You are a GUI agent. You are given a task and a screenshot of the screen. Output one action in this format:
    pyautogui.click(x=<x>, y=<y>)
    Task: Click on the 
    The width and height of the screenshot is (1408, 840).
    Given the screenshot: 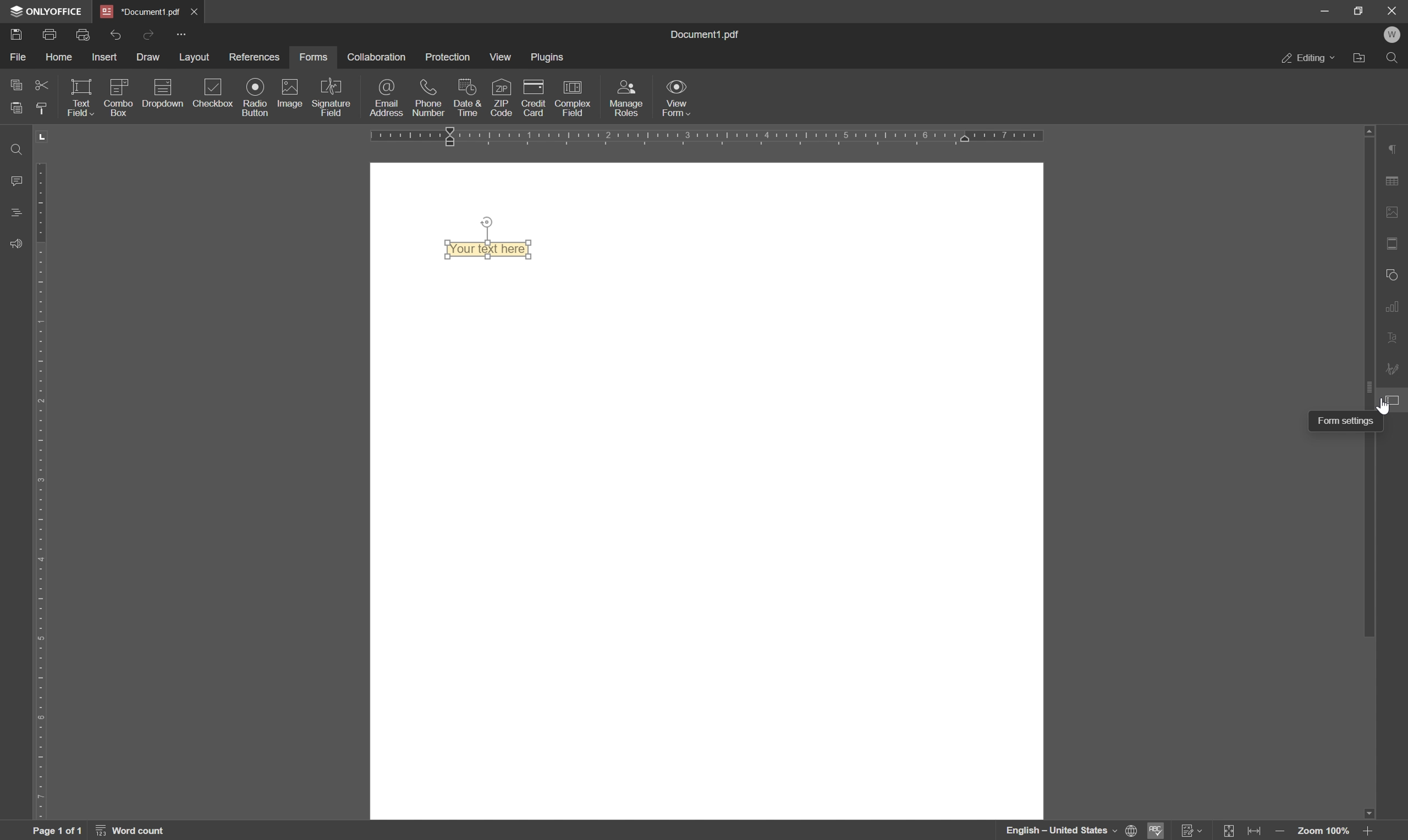 What is the action you would take?
    pyautogui.click(x=710, y=35)
    